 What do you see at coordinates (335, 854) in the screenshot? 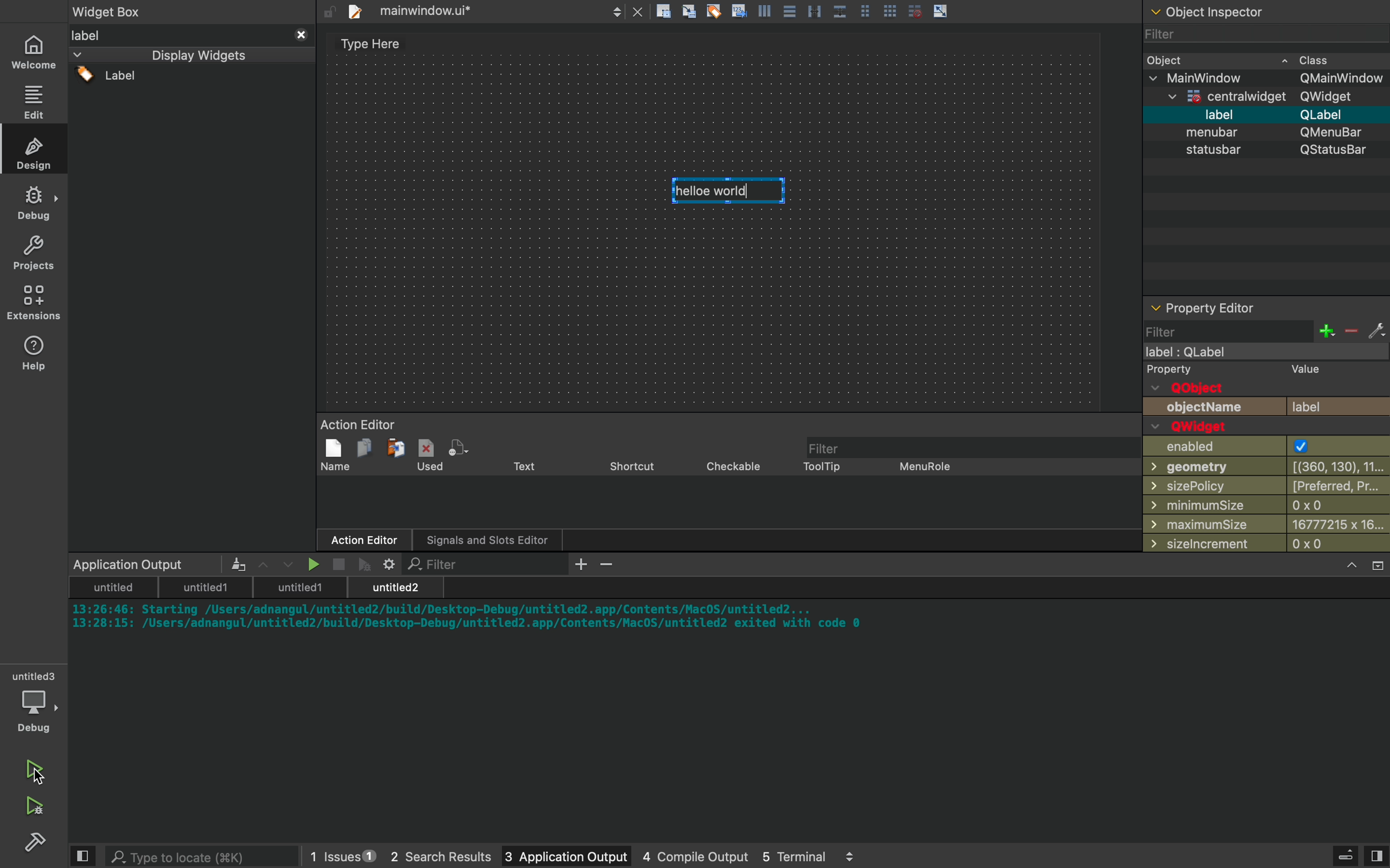
I see `1 issues` at bounding box center [335, 854].